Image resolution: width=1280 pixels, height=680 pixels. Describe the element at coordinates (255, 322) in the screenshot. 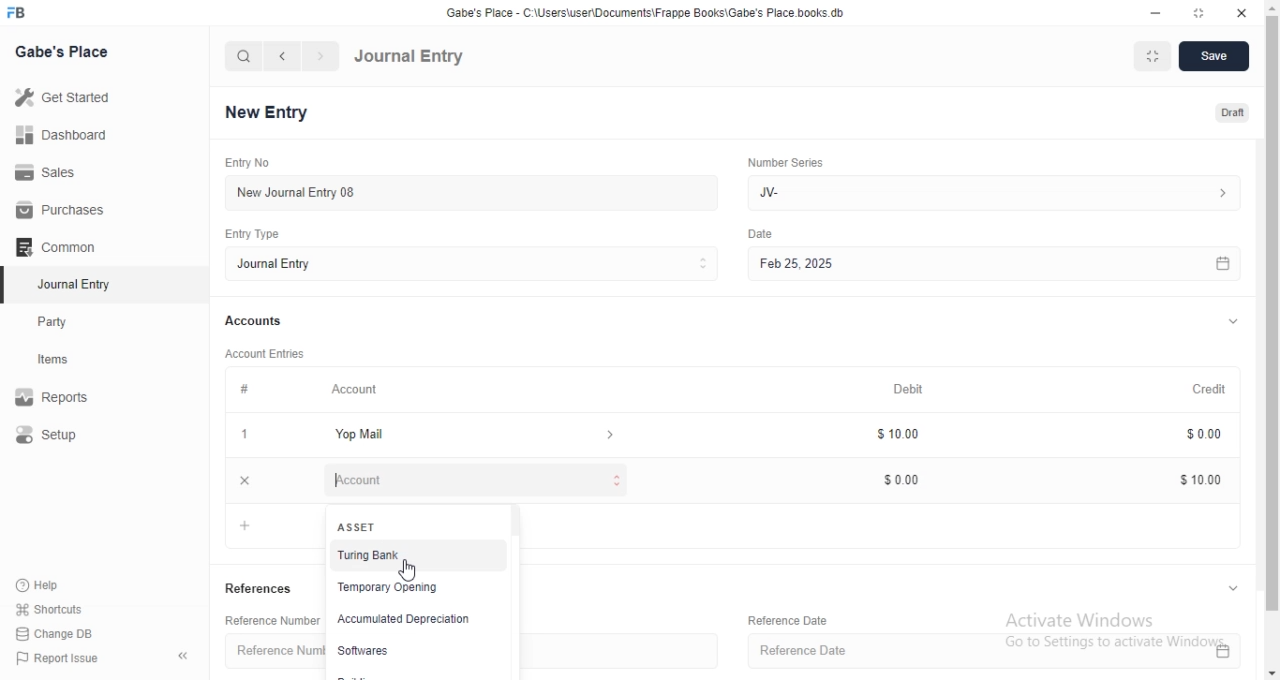

I see `Accounts` at that location.